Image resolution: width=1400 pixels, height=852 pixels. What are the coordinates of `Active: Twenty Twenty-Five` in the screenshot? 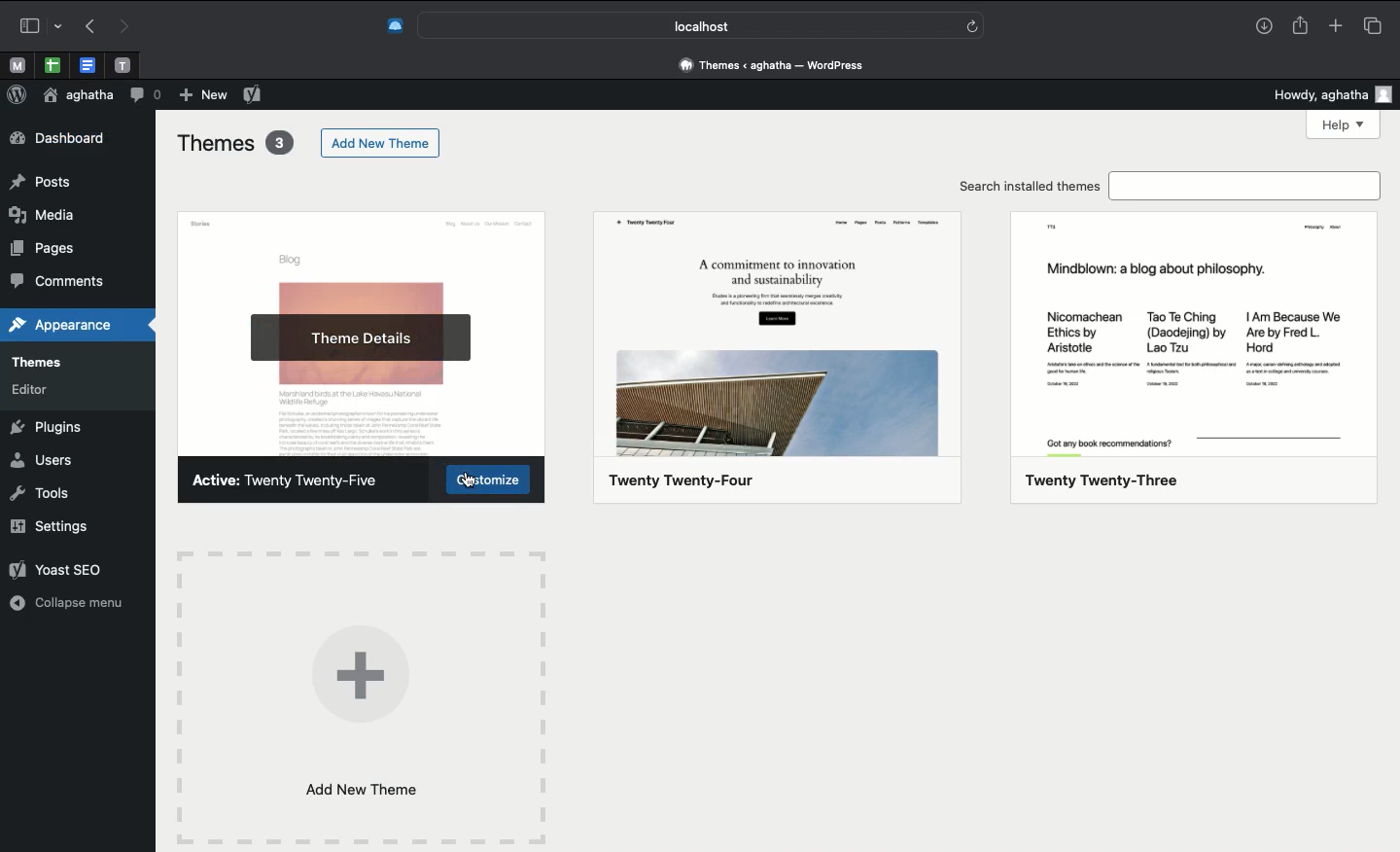 It's located at (288, 480).